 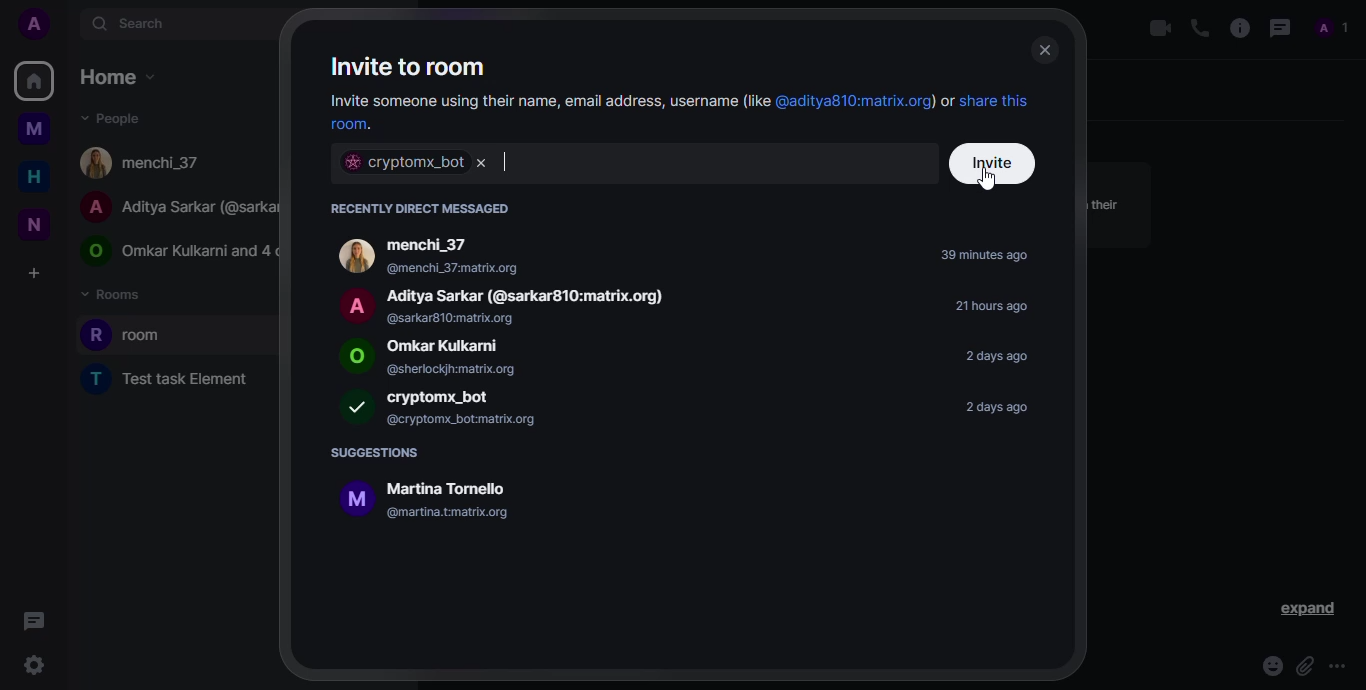 What do you see at coordinates (996, 356) in the screenshot?
I see `2 days ago` at bounding box center [996, 356].